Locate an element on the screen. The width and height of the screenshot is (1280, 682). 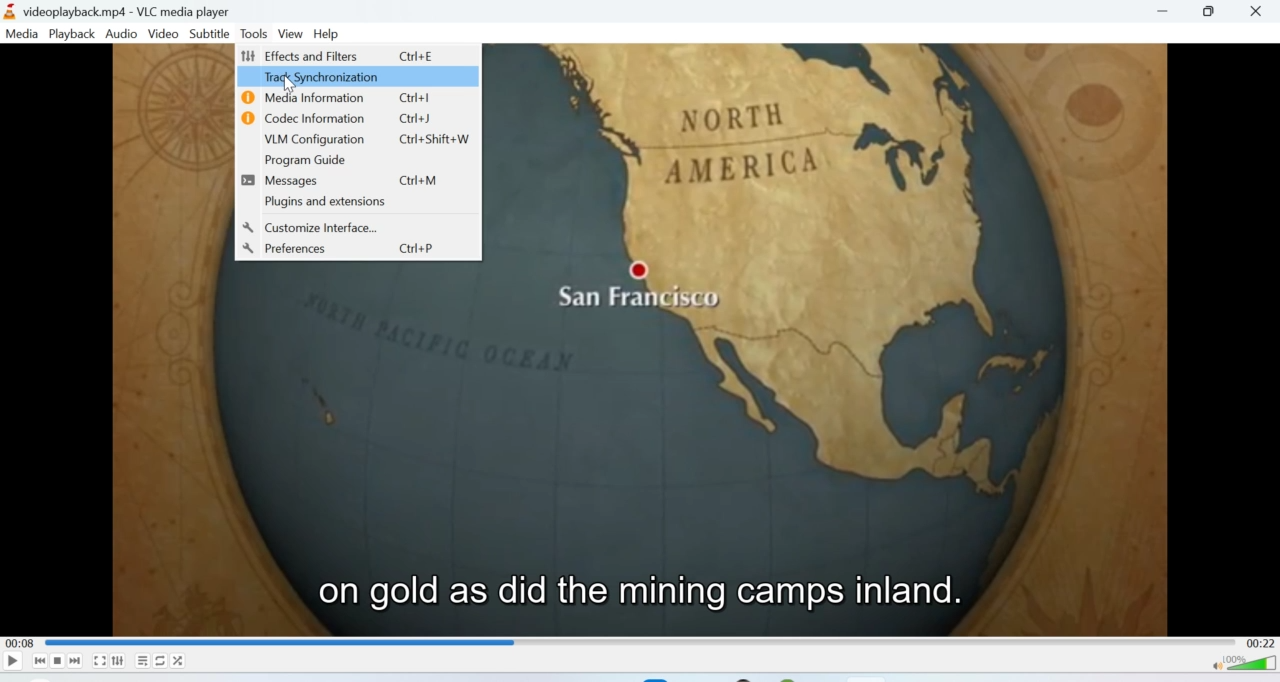
Codec Information is located at coordinates (310, 119).